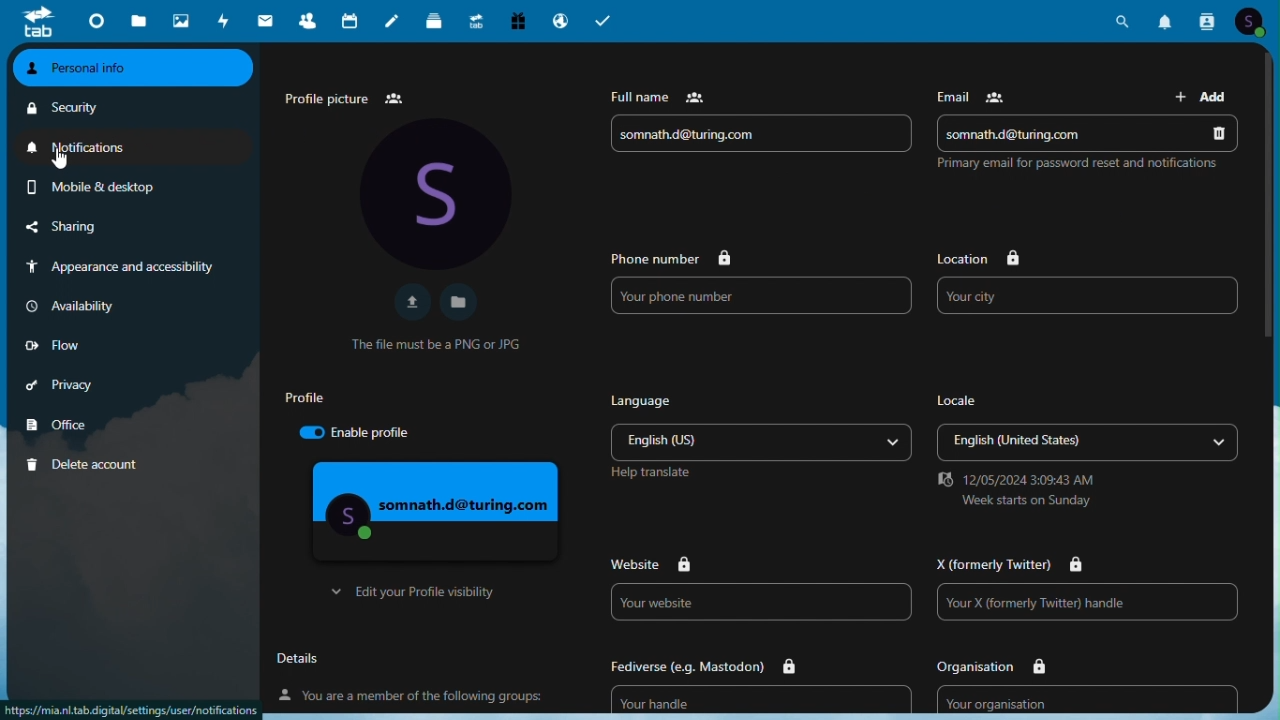 This screenshot has width=1280, height=720. I want to click on Email hosting, so click(562, 19).